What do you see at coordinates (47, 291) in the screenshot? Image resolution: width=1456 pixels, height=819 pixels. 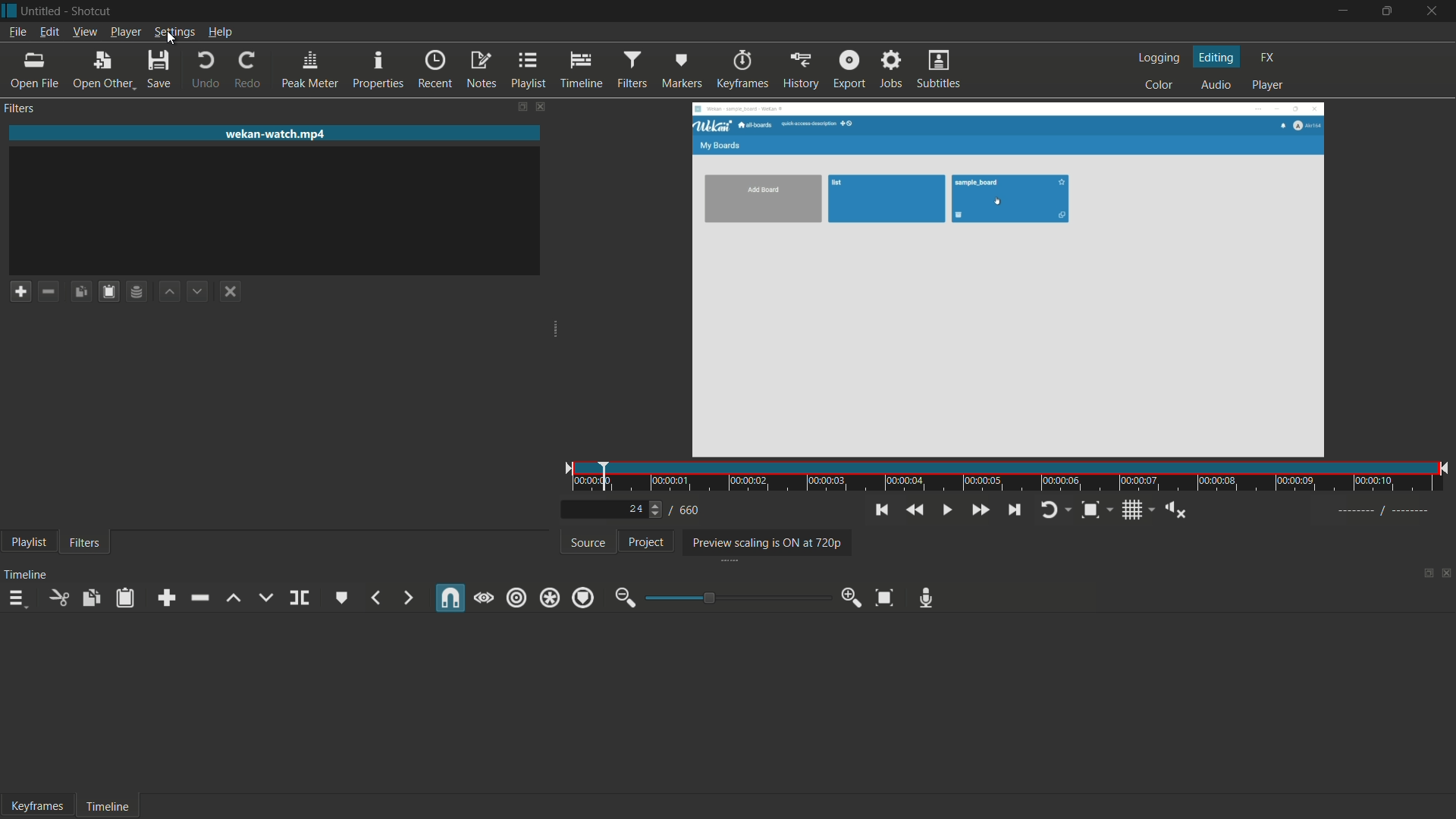 I see `remove a filter` at bounding box center [47, 291].